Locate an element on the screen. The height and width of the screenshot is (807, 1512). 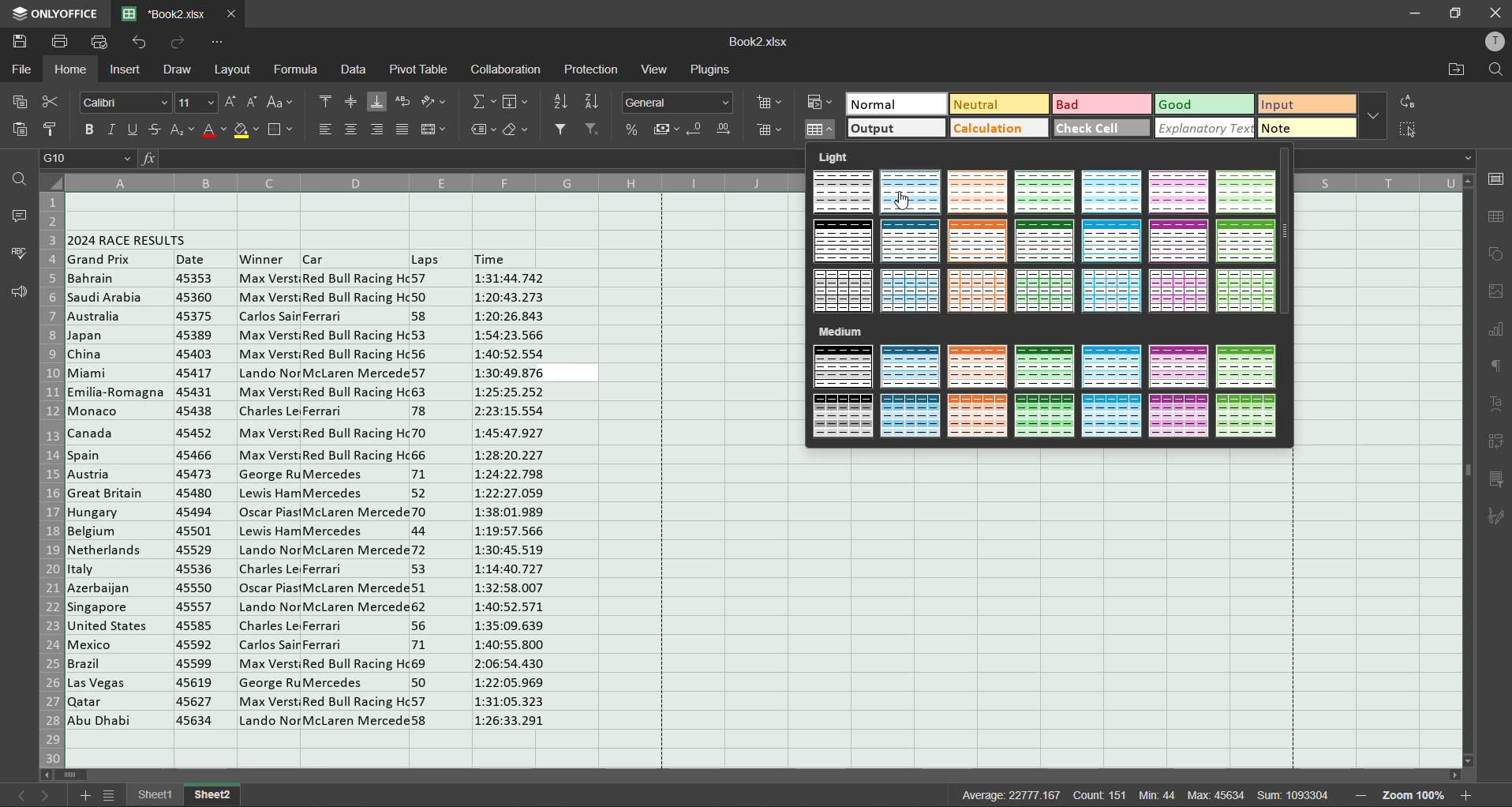
table style light 7 is located at coordinates (1248, 193).